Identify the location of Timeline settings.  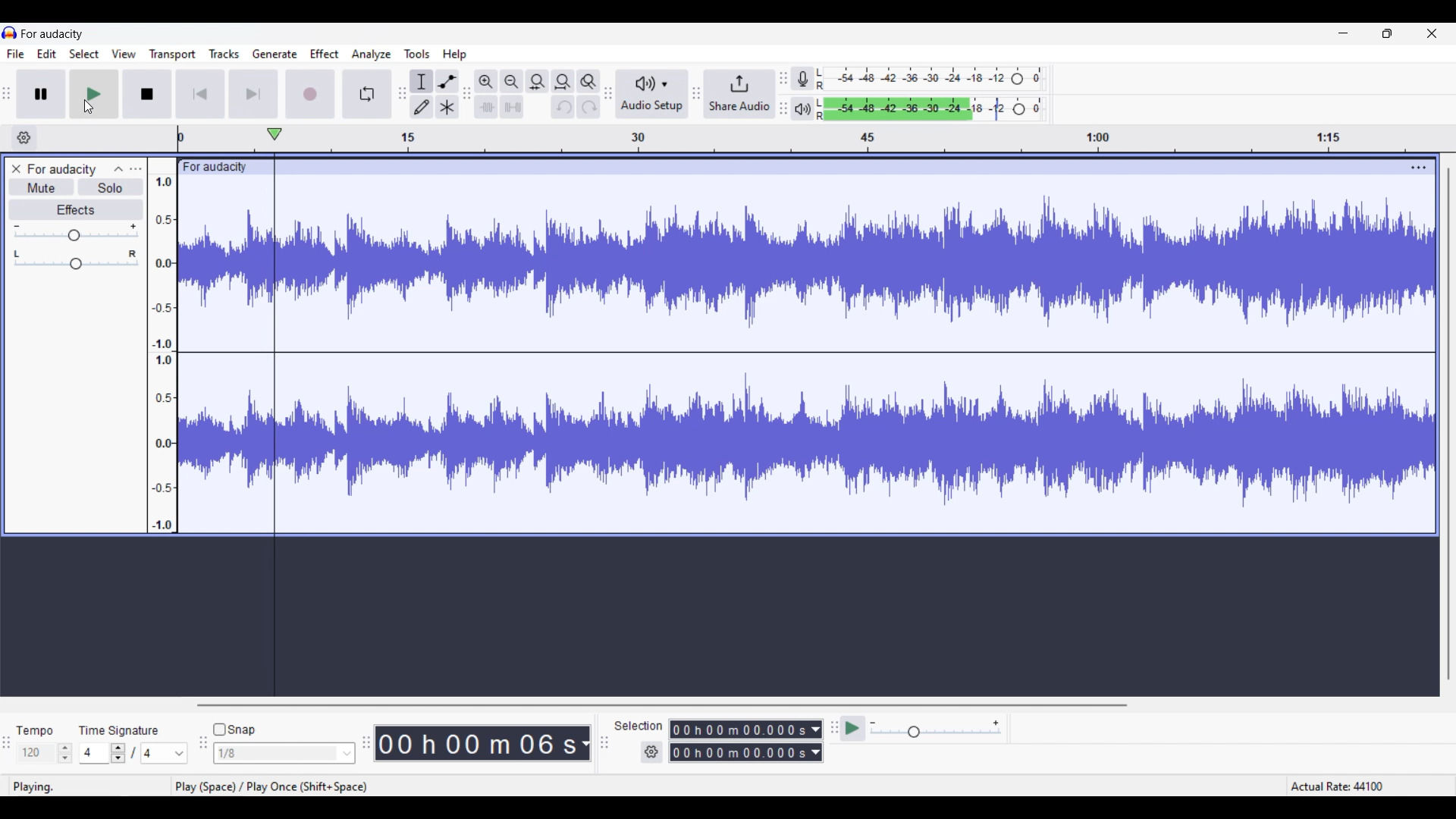
(24, 138).